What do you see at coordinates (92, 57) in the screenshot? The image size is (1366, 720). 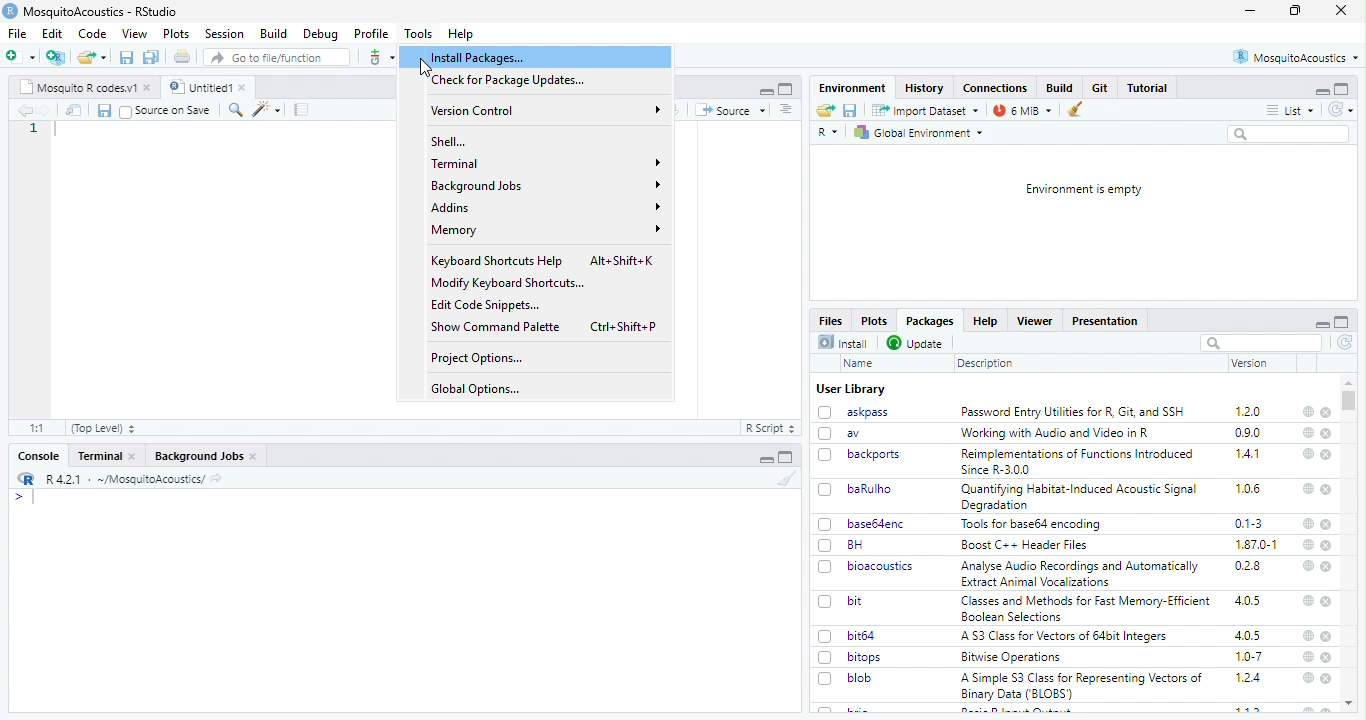 I see `open folder` at bounding box center [92, 57].